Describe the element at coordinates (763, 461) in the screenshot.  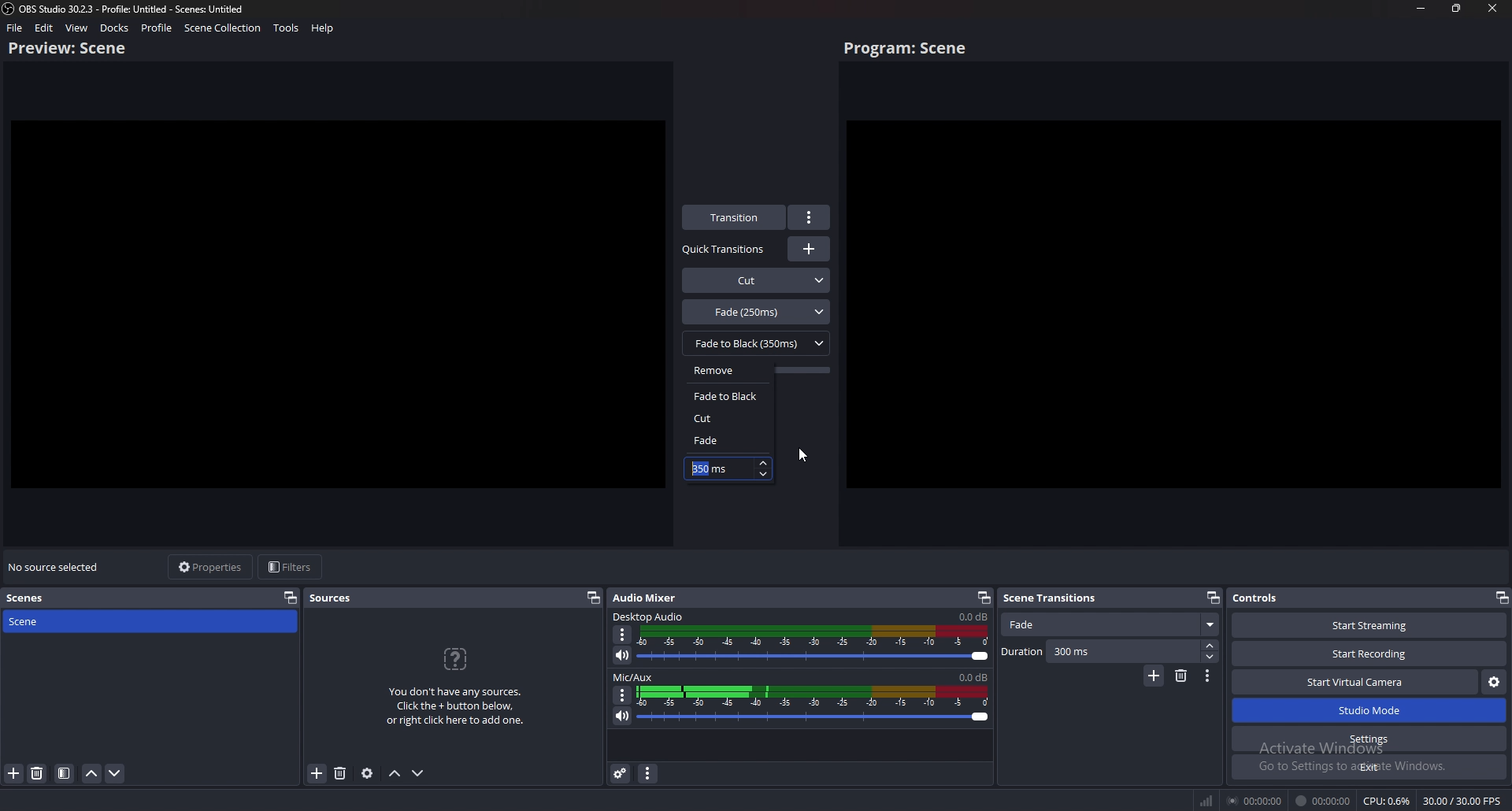
I see `increase duration` at that location.